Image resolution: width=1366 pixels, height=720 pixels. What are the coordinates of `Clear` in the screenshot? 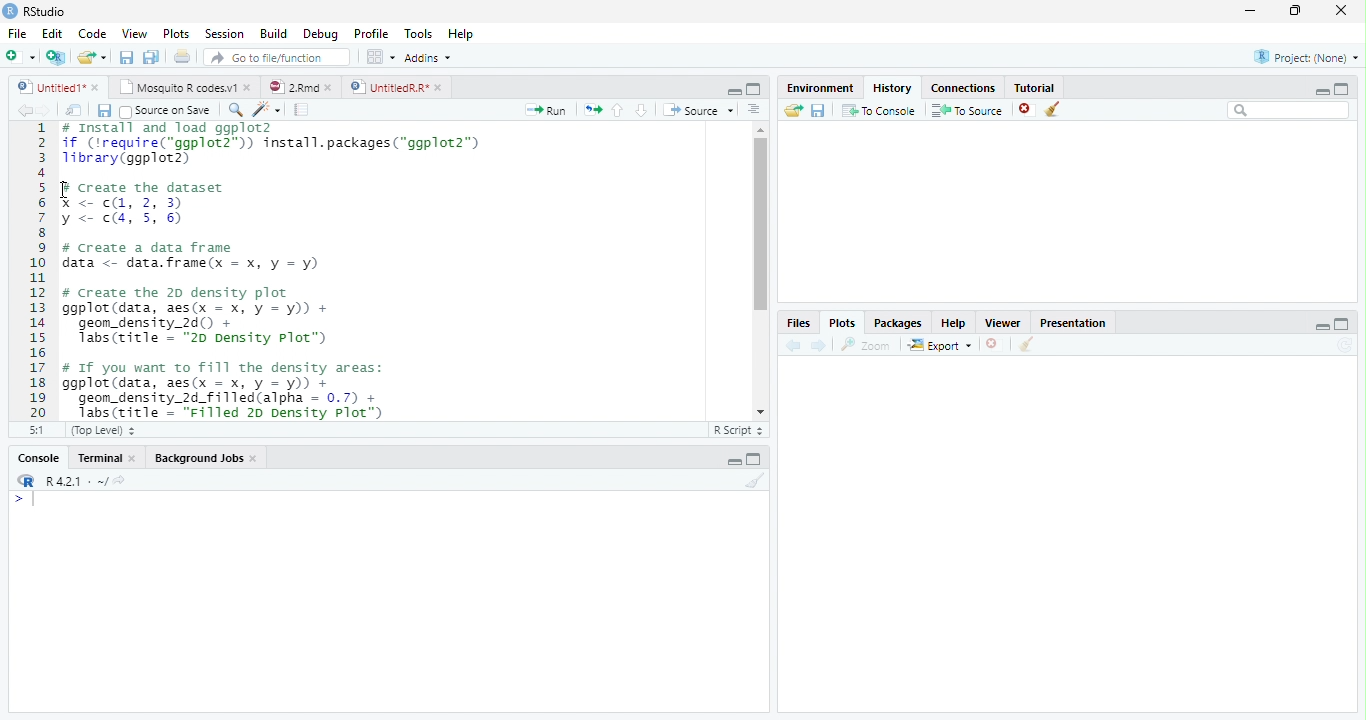 It's located at (756, 480).